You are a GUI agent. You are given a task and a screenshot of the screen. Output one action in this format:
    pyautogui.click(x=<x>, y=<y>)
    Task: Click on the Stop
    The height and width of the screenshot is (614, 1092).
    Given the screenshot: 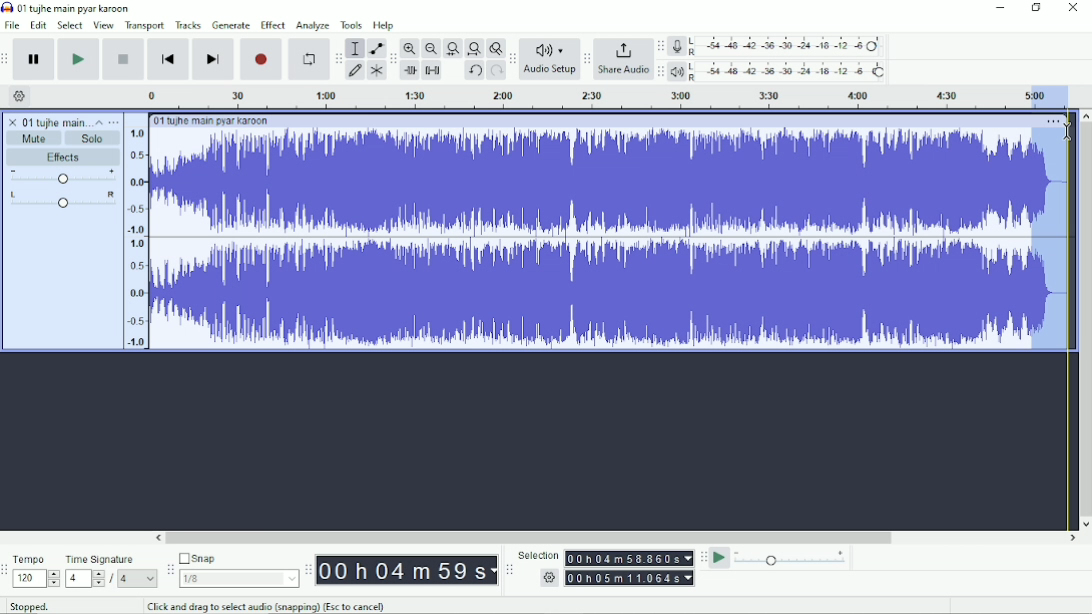 What is the action you would take?
    pyautogui.click(x=122, y=59)
    